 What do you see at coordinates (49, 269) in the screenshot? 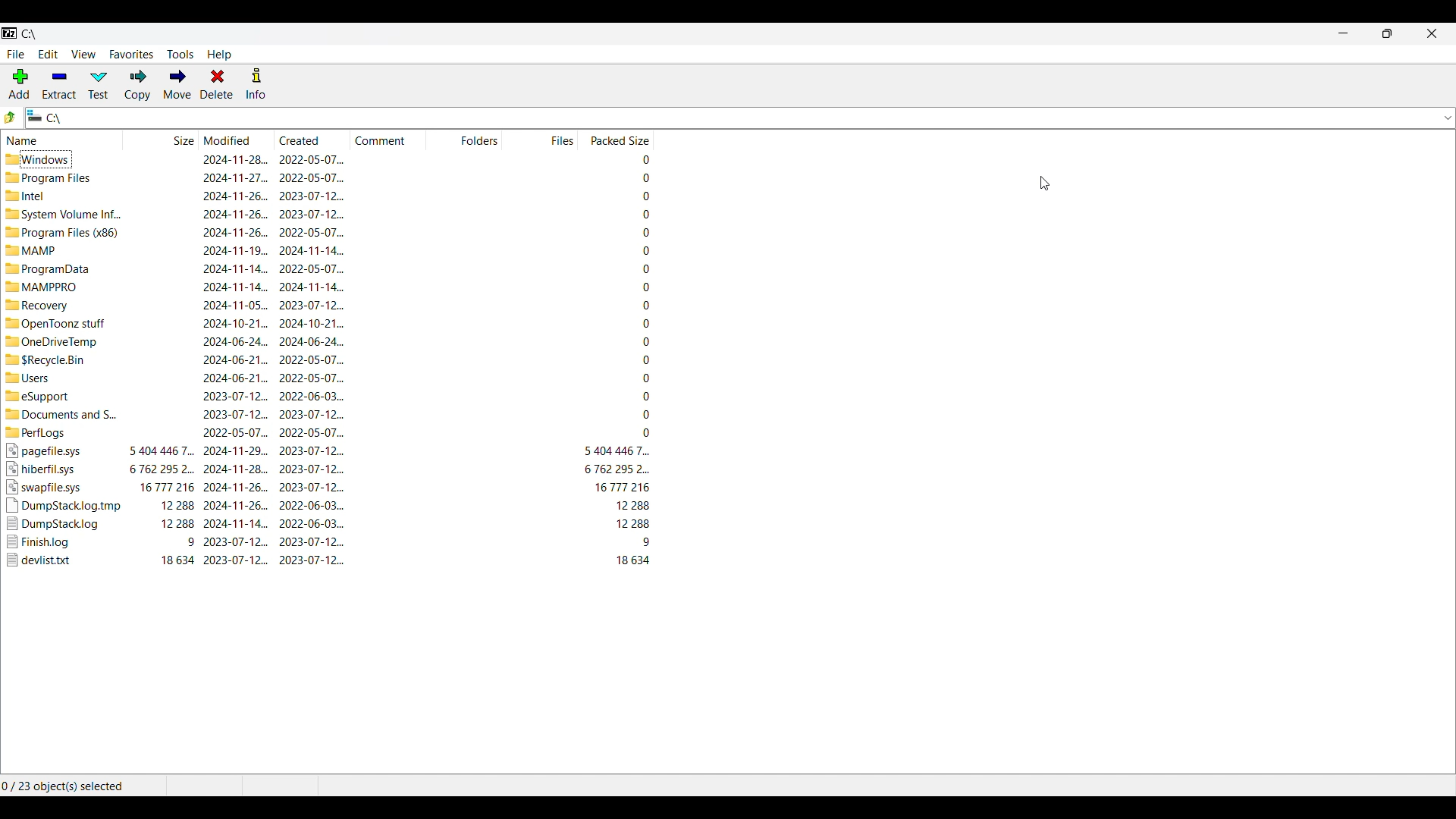
I see `Program Data` at bounding box center [49, 269].